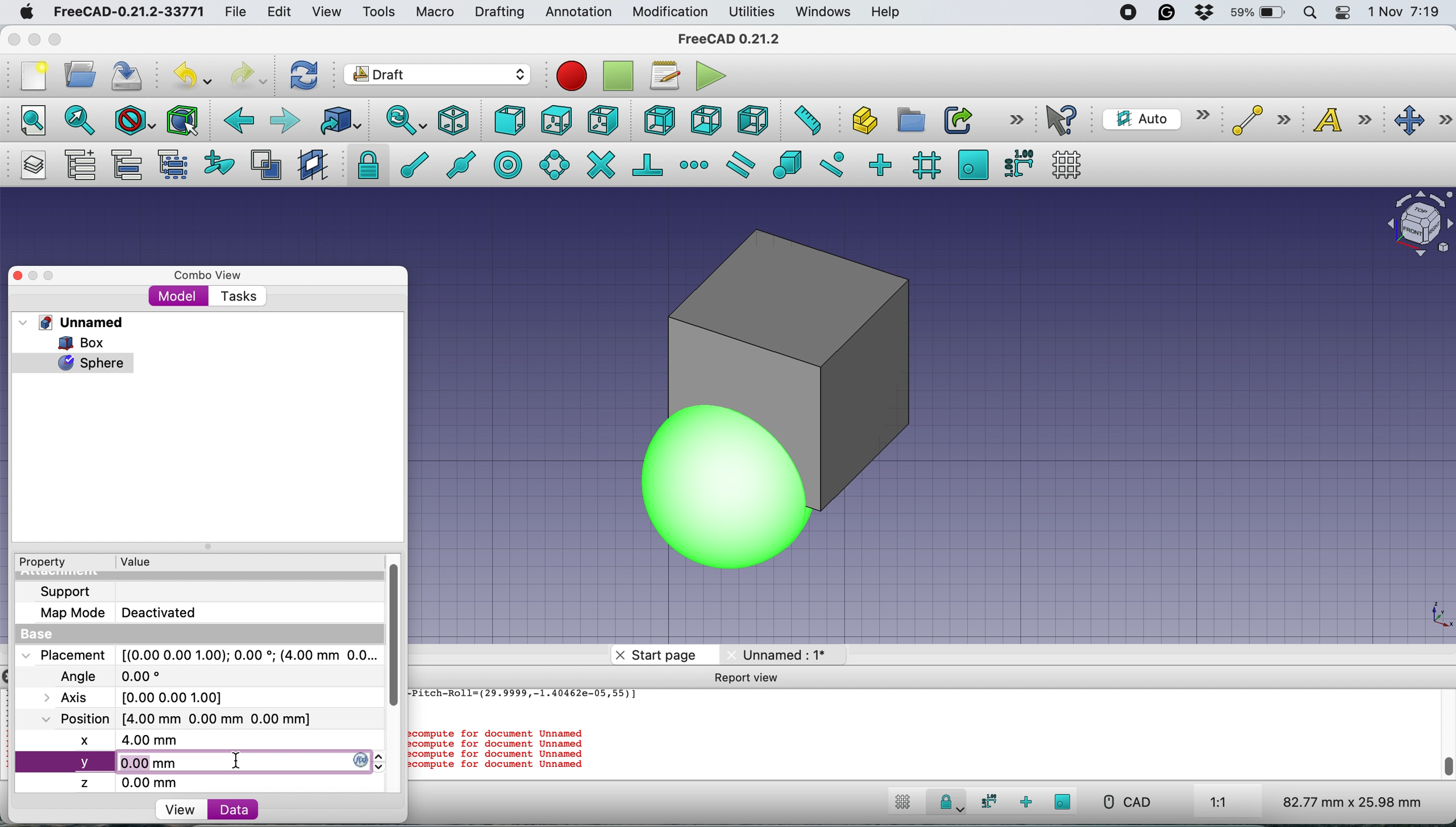 The height and width of the screenshot is (827, 1456). Describe the element at coordinates (83, 119) in the screenshot. I see `fit selections` at that location.